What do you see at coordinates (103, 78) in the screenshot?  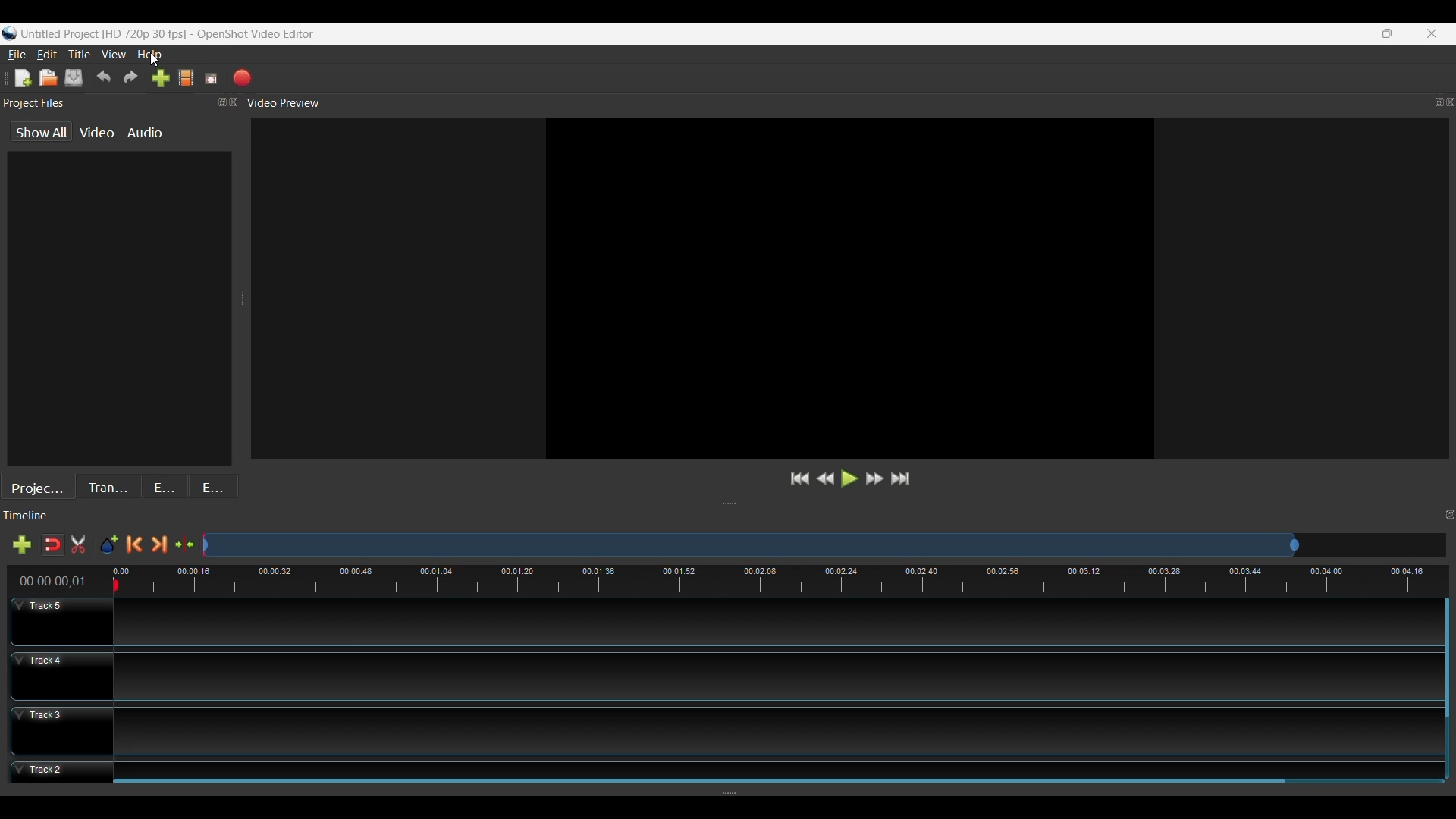 I see `Undo` at bounding box center [103, 78].